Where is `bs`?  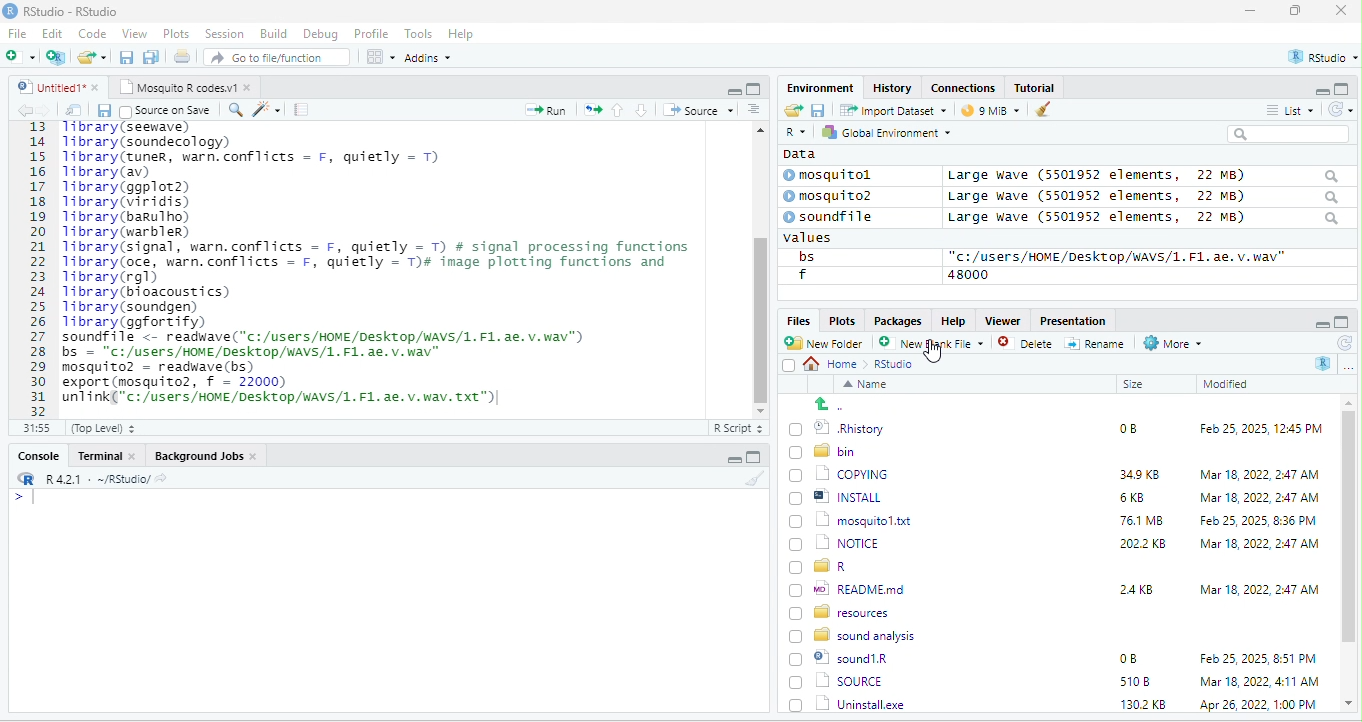
bs is located at coordinates (803, 256).